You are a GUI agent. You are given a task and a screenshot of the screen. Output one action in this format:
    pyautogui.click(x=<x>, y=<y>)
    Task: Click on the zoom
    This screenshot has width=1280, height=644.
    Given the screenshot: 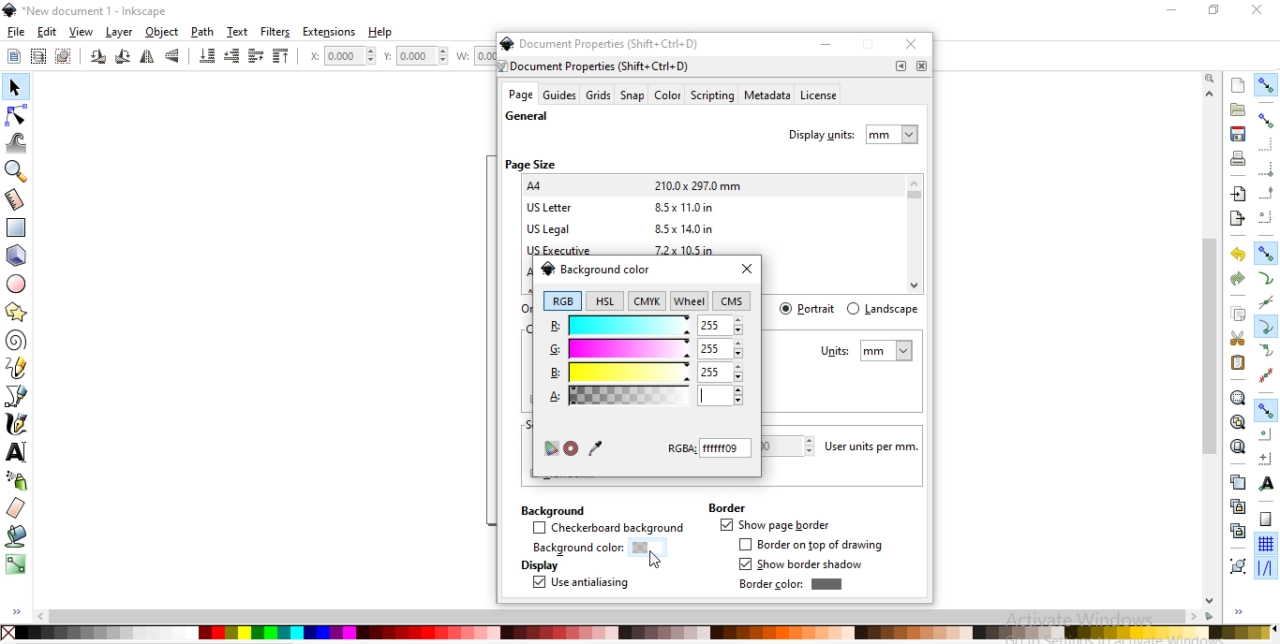 What is the action you would take?
    pyautogui.click(x=1212, y=77)
    